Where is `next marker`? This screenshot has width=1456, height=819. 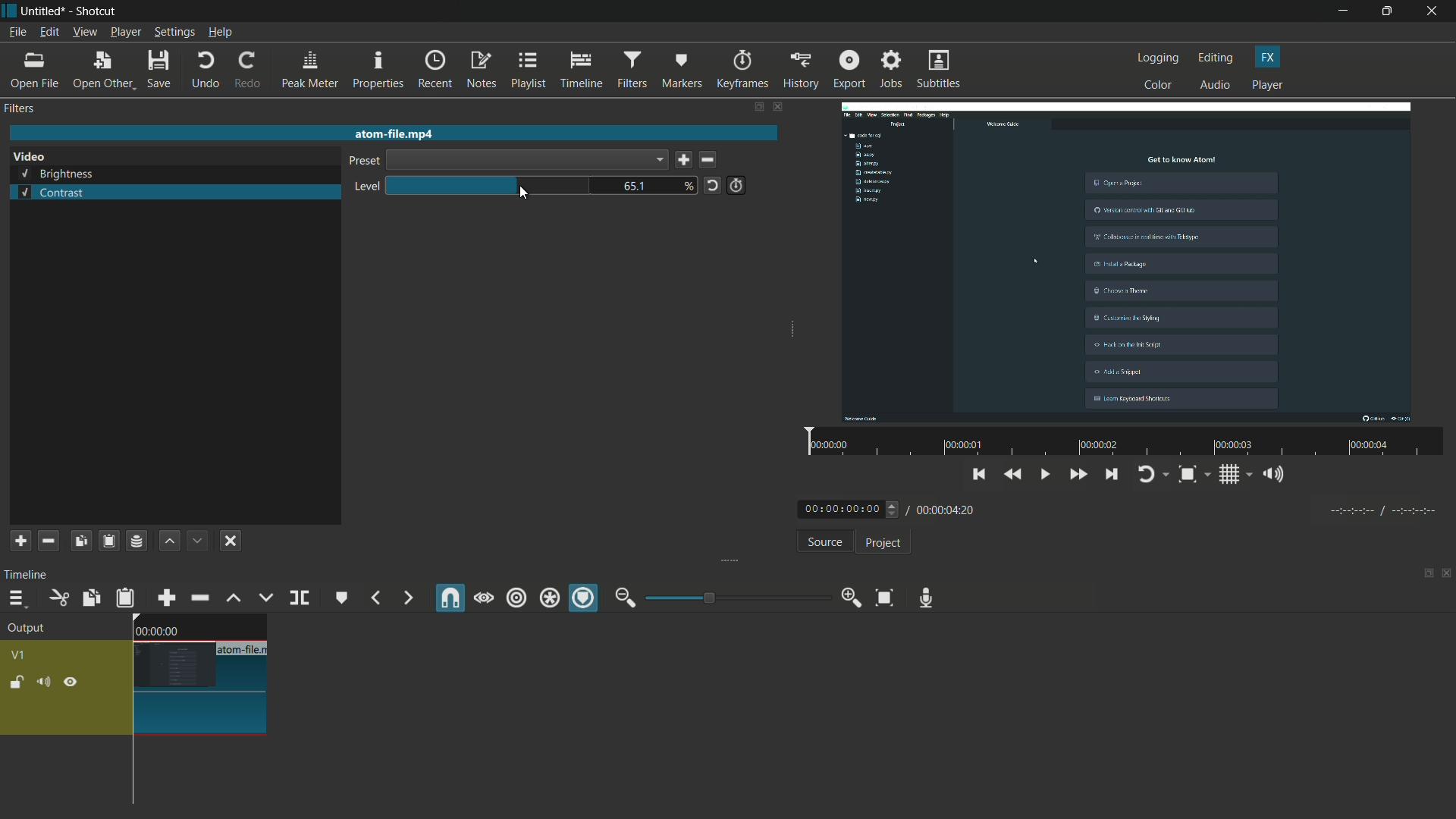
next marker is located at coordinates (406, 598).